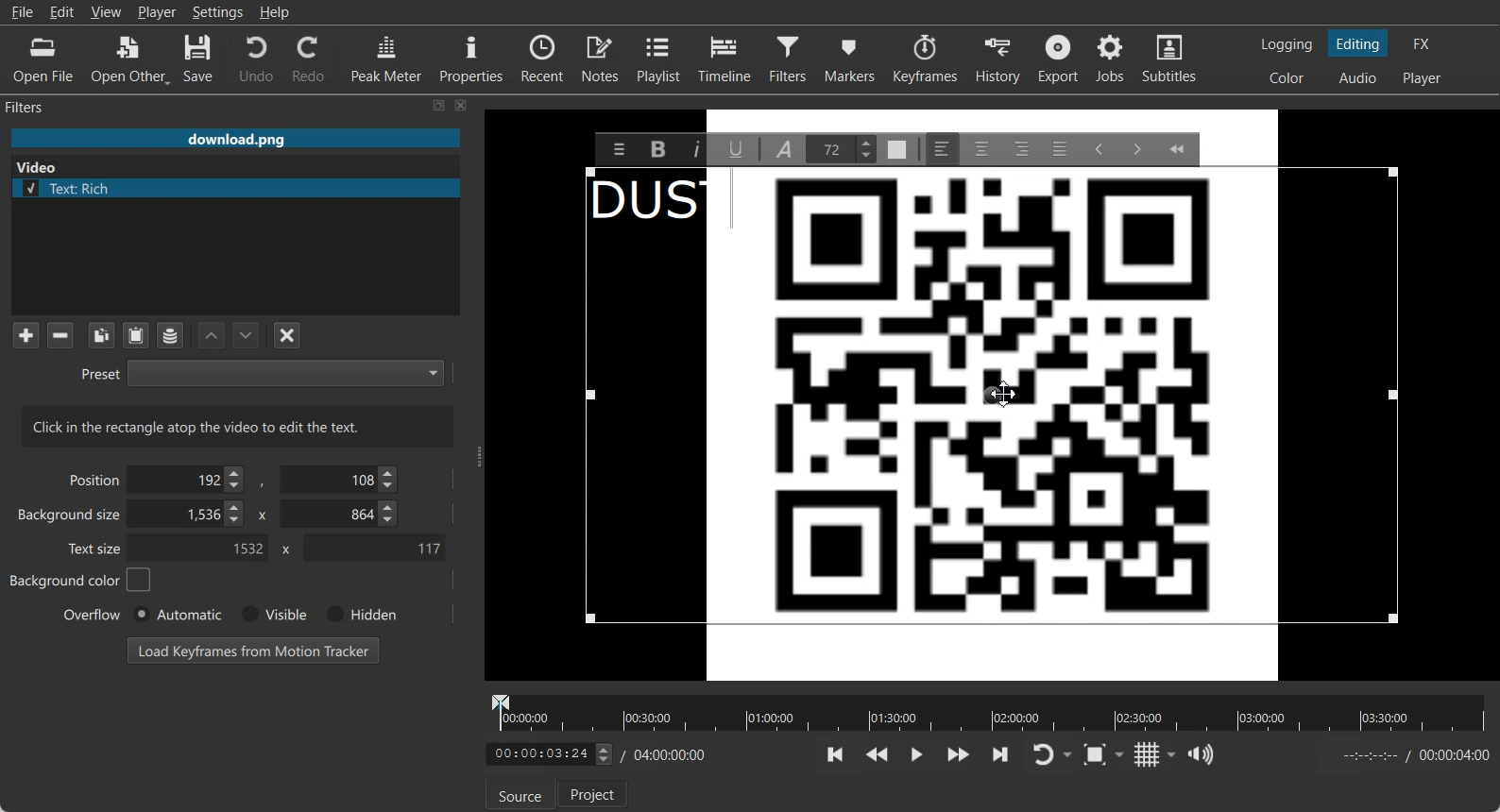  I want to click on Underline, so click(737, 148).